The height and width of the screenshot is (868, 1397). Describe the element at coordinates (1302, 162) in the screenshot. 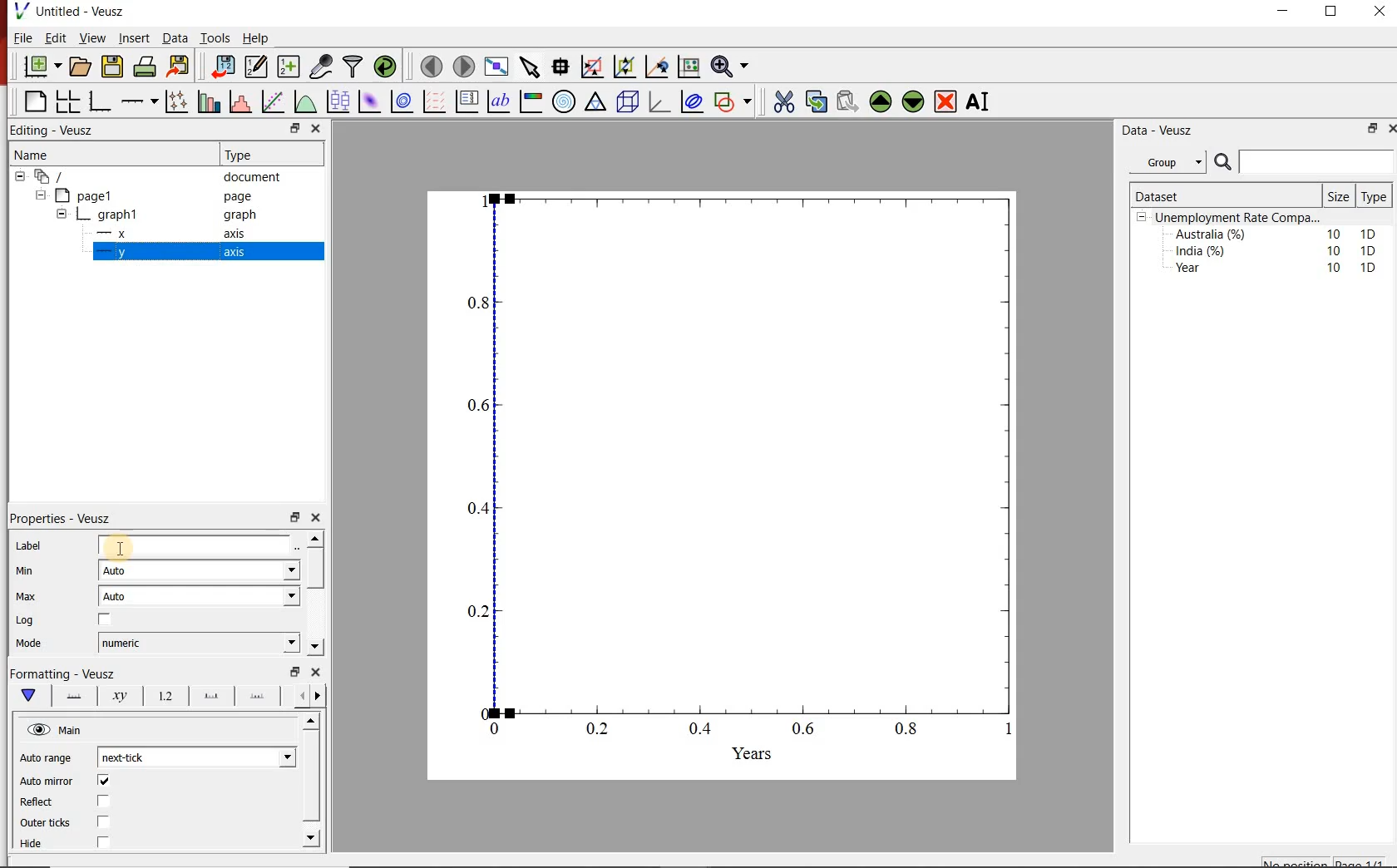

I see `search bar` at that location.